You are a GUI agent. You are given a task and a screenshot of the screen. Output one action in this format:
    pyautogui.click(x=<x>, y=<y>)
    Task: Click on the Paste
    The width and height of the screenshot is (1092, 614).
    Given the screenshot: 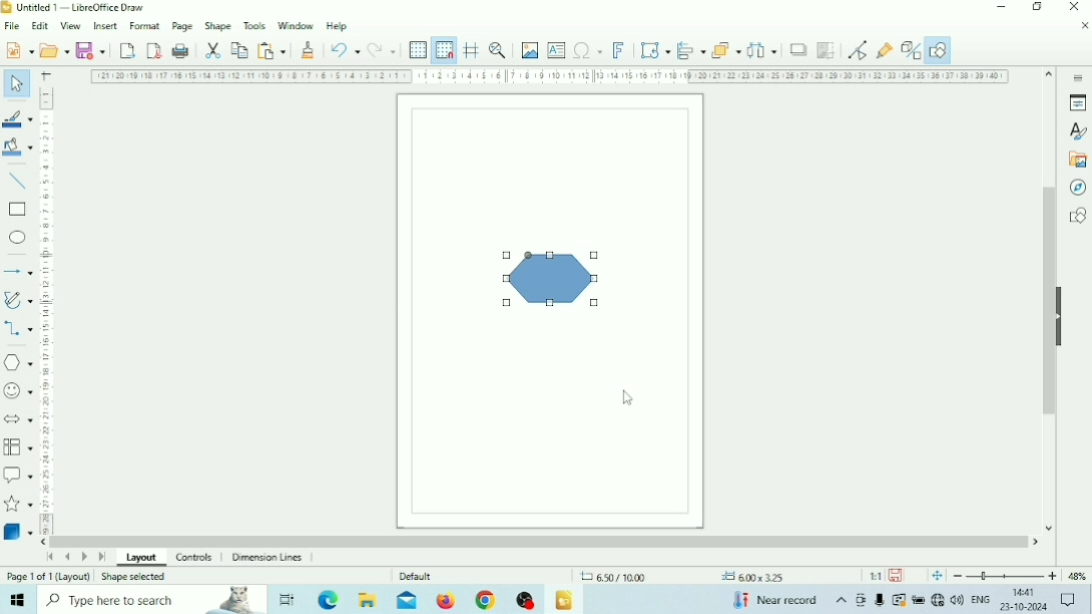 What is the action you would take?
    pyautogui.click(x=271, y=50)
    